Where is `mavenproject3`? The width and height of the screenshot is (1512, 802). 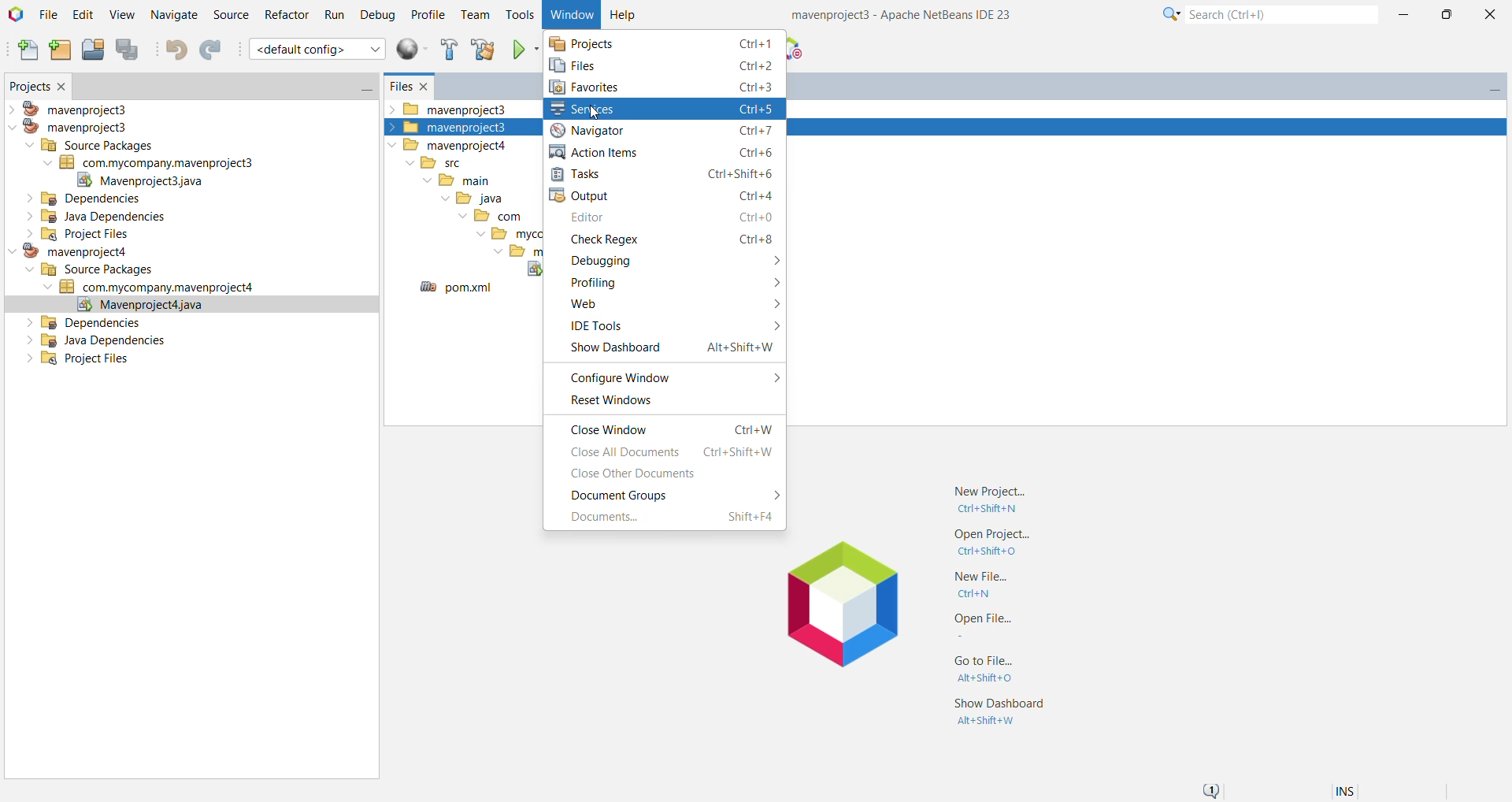 mavenproject3 is located at coordinates (450, 128).